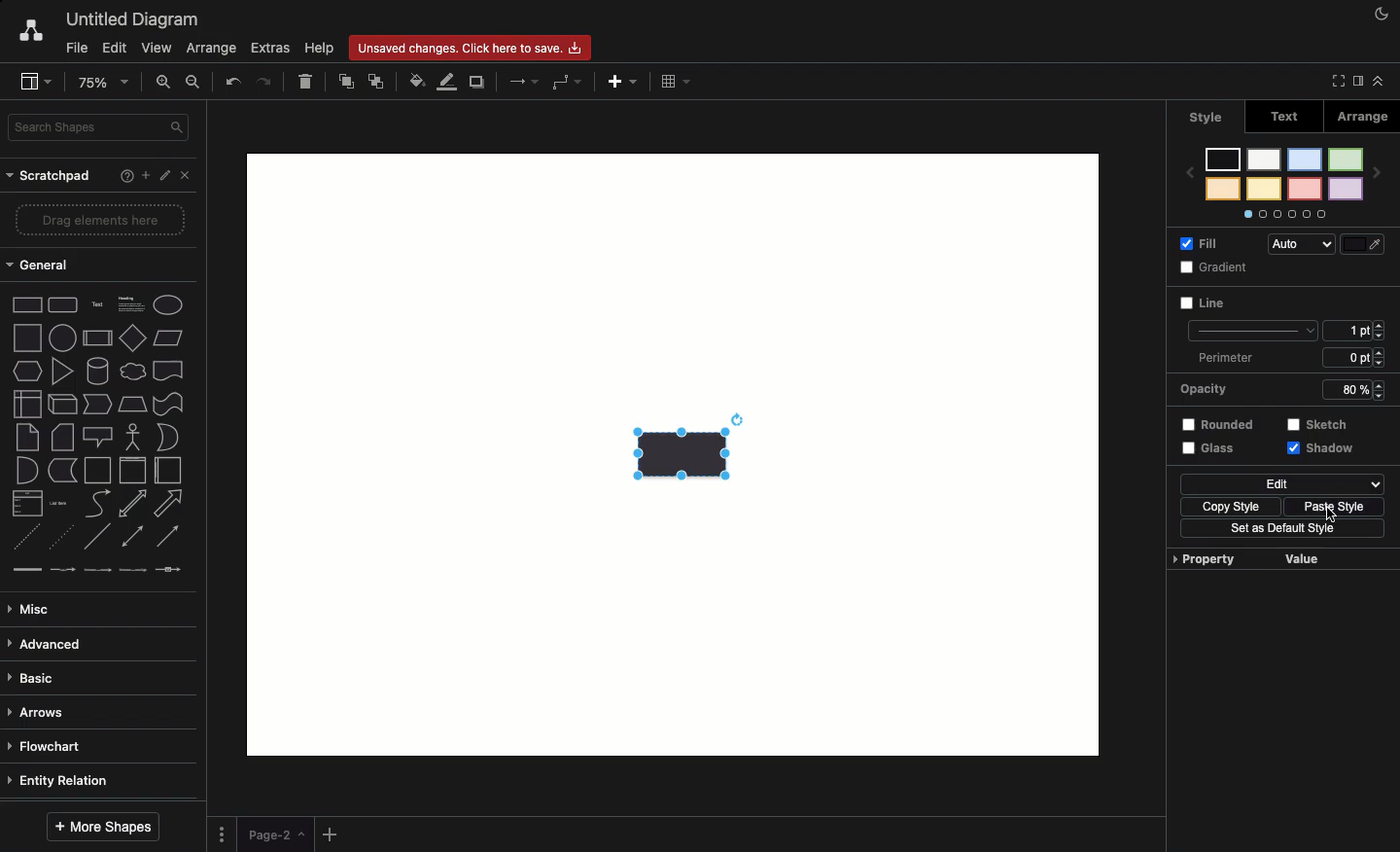  What do you see at coordinates (28, 437) in the screenshot?
I see `note` at bounding box center [28, 437].